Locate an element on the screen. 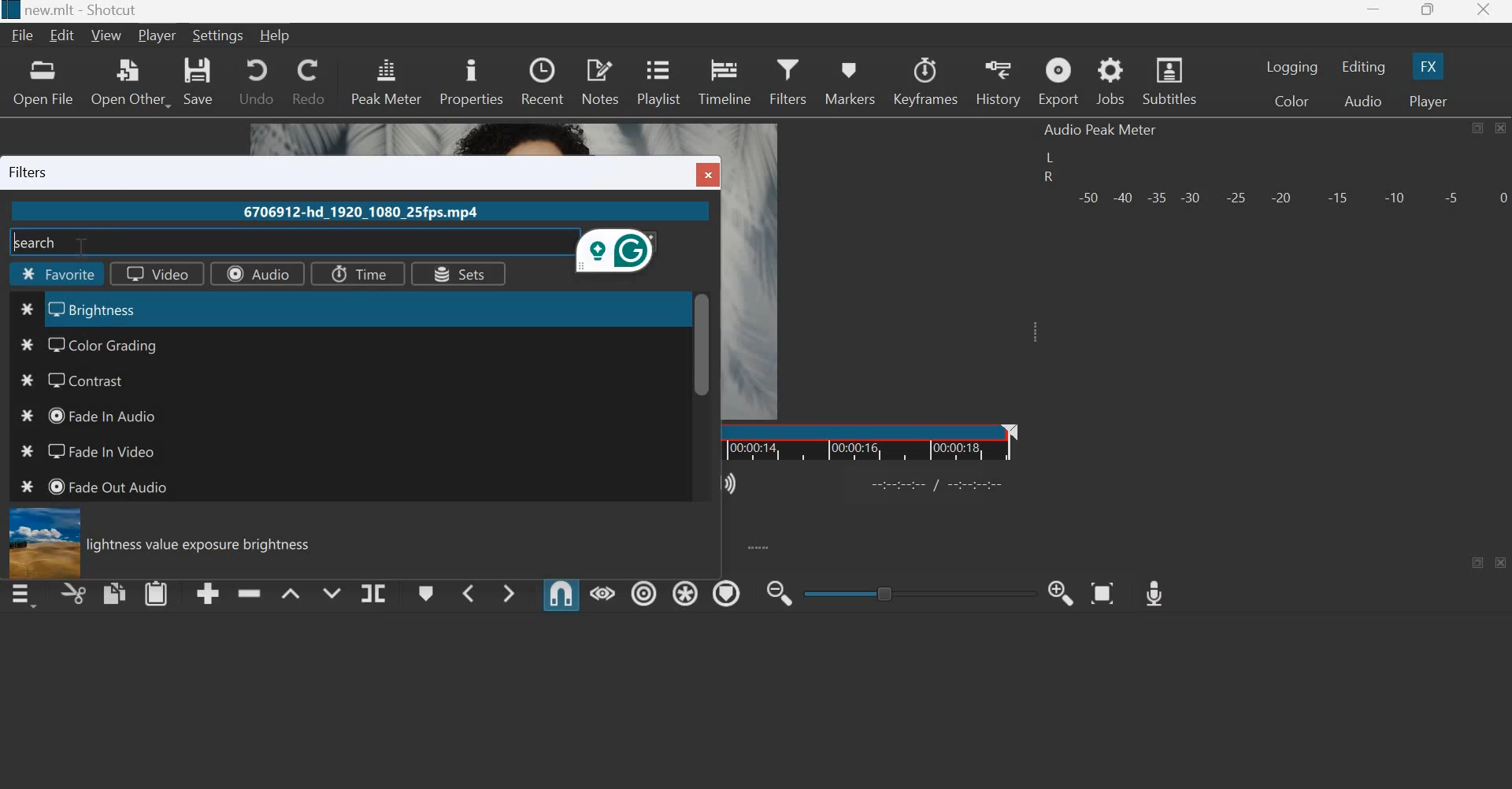  Logging is located at coordinates (1293, 67).